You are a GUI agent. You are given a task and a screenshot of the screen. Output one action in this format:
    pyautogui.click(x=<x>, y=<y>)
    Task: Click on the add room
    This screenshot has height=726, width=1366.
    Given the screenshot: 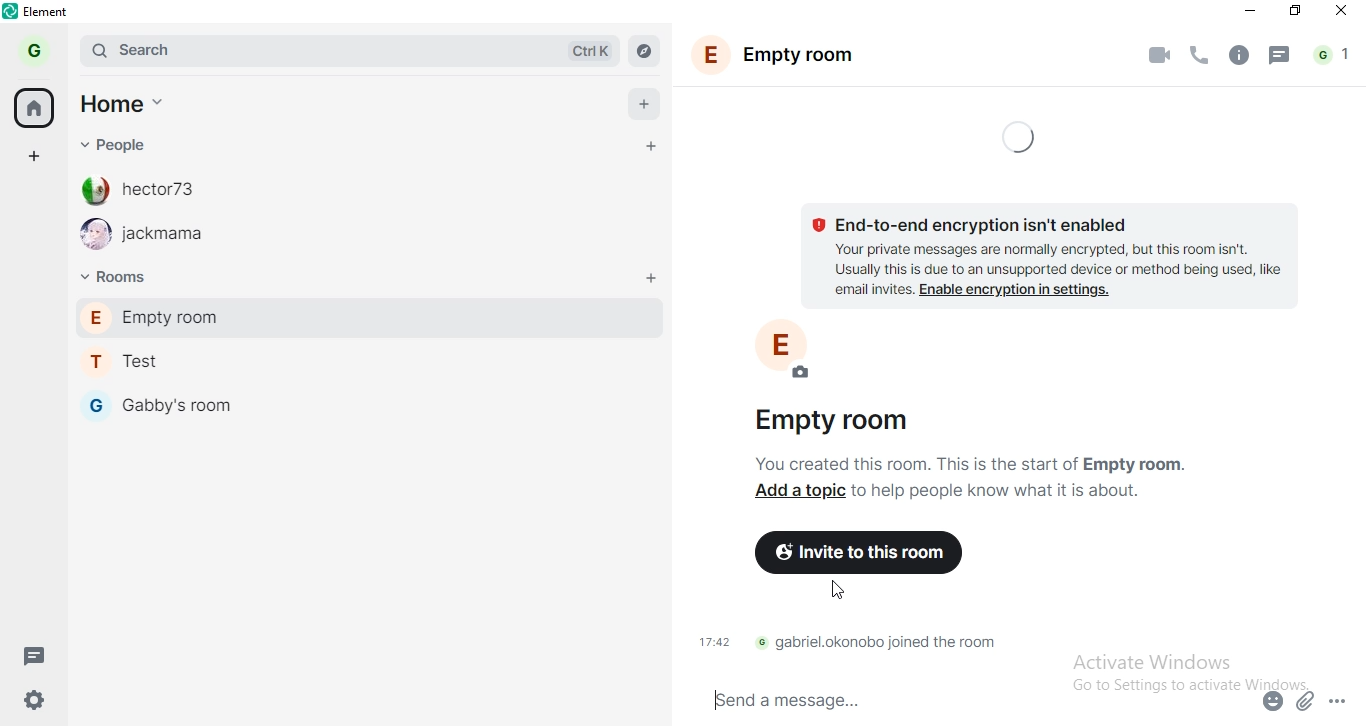 What is the action you would take?
    pyautogui.click(x=647, y=277)
    